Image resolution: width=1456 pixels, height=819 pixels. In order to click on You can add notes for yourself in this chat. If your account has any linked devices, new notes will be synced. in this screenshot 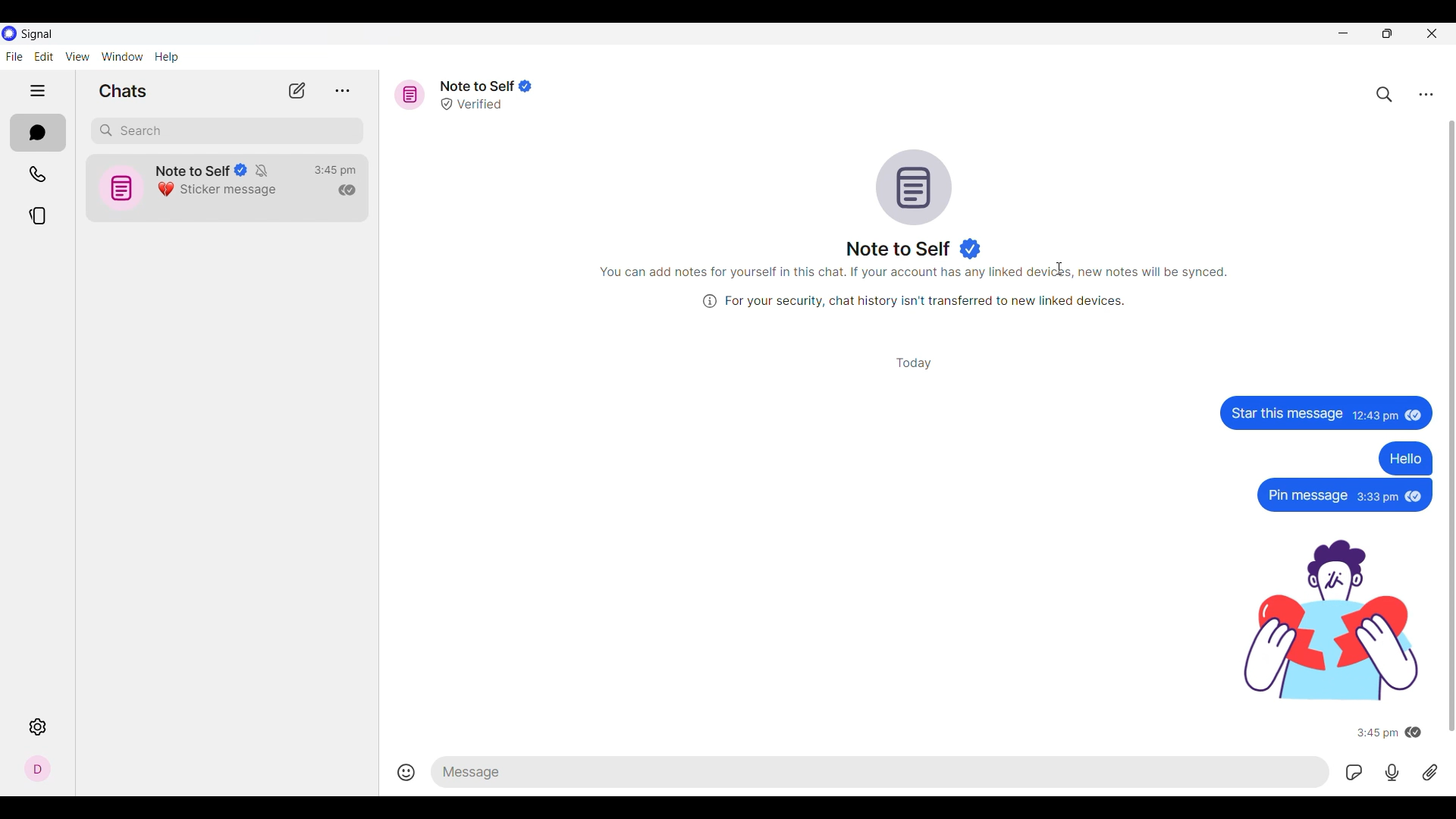, I will do `click(908, 272)`.